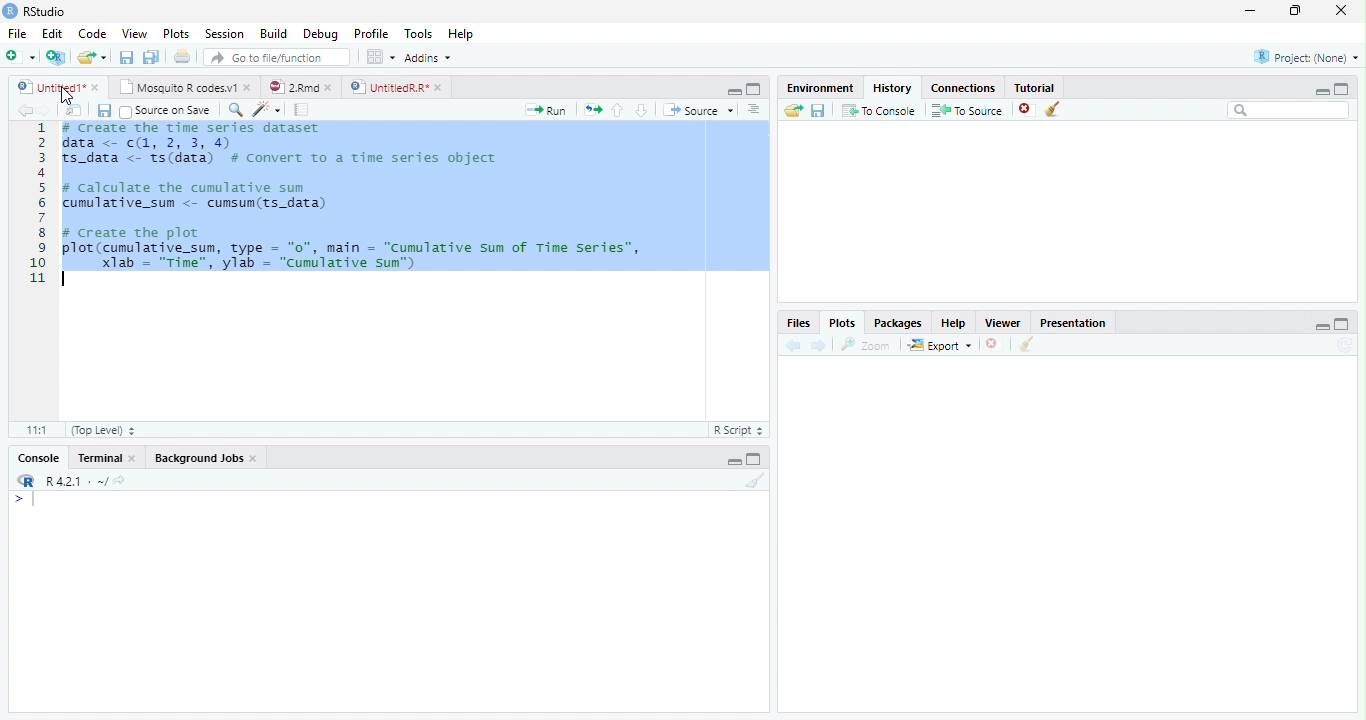  I want to click on To Source, so click(966, 111).